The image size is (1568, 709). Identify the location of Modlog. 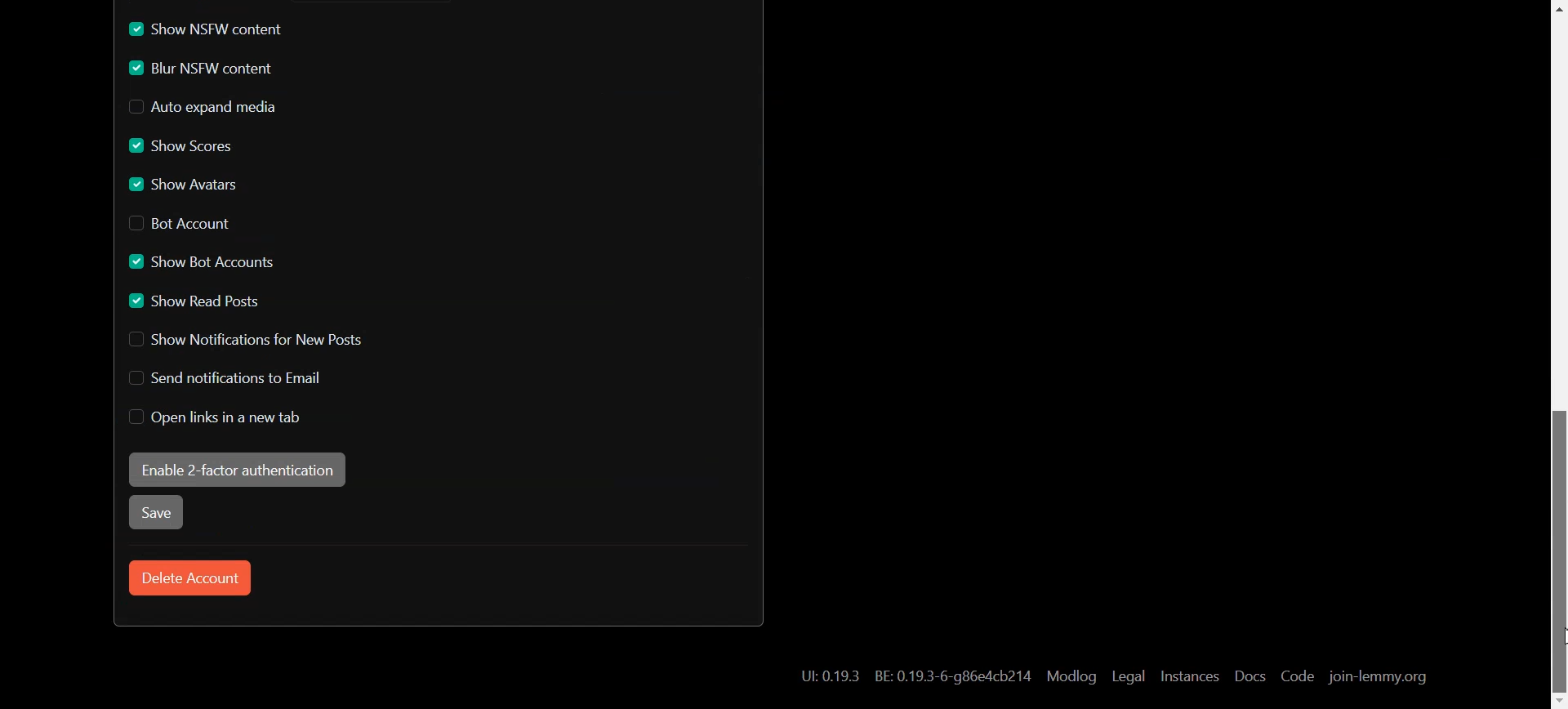
(1071, 676).